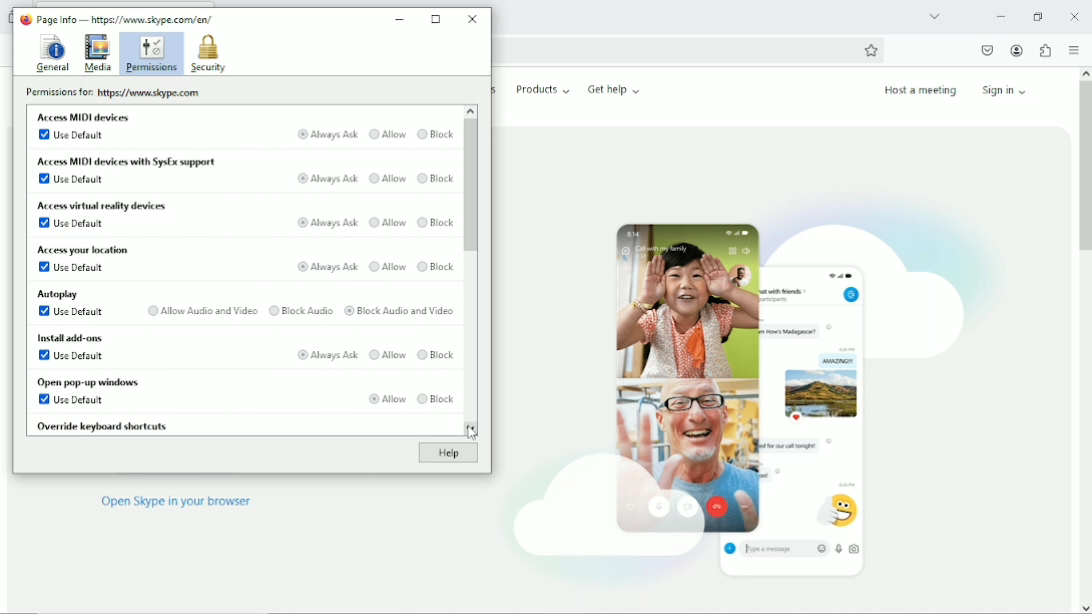  I want to click on Block, so click(436, 353).